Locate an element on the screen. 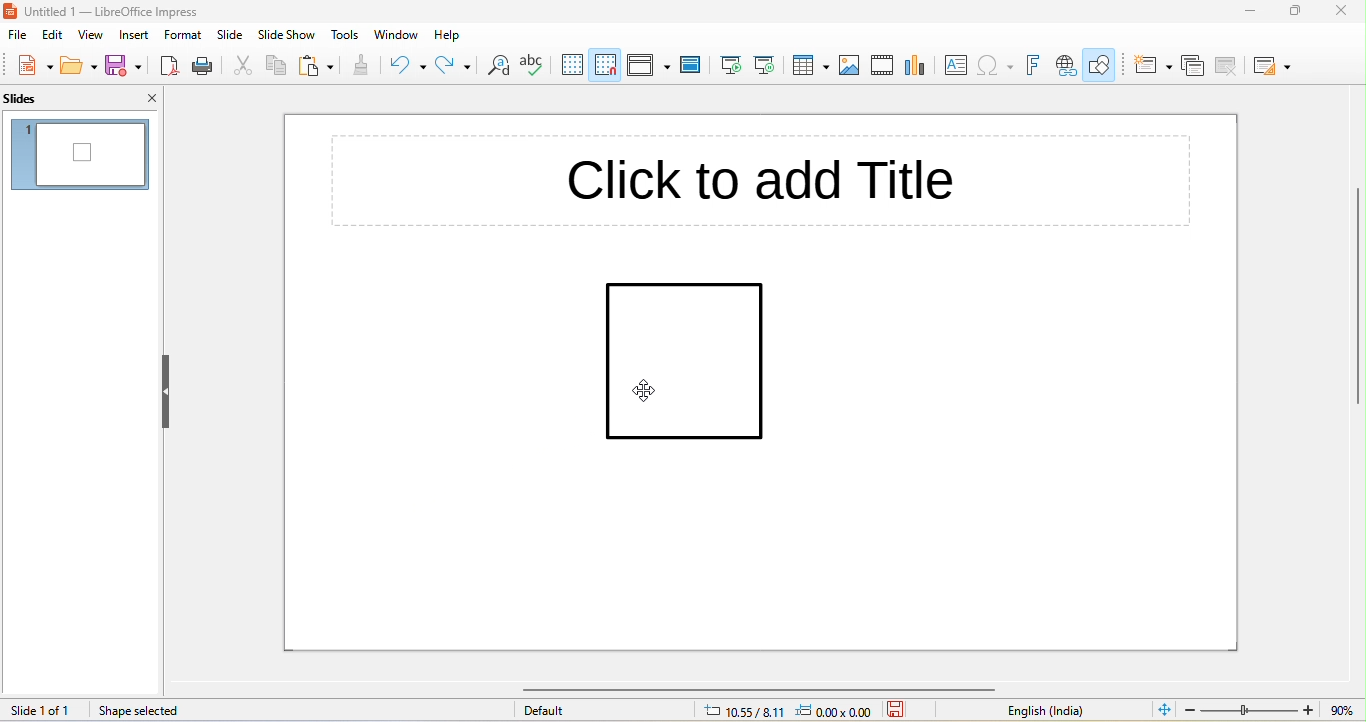  find and replace is located at coordinates (496, 66).